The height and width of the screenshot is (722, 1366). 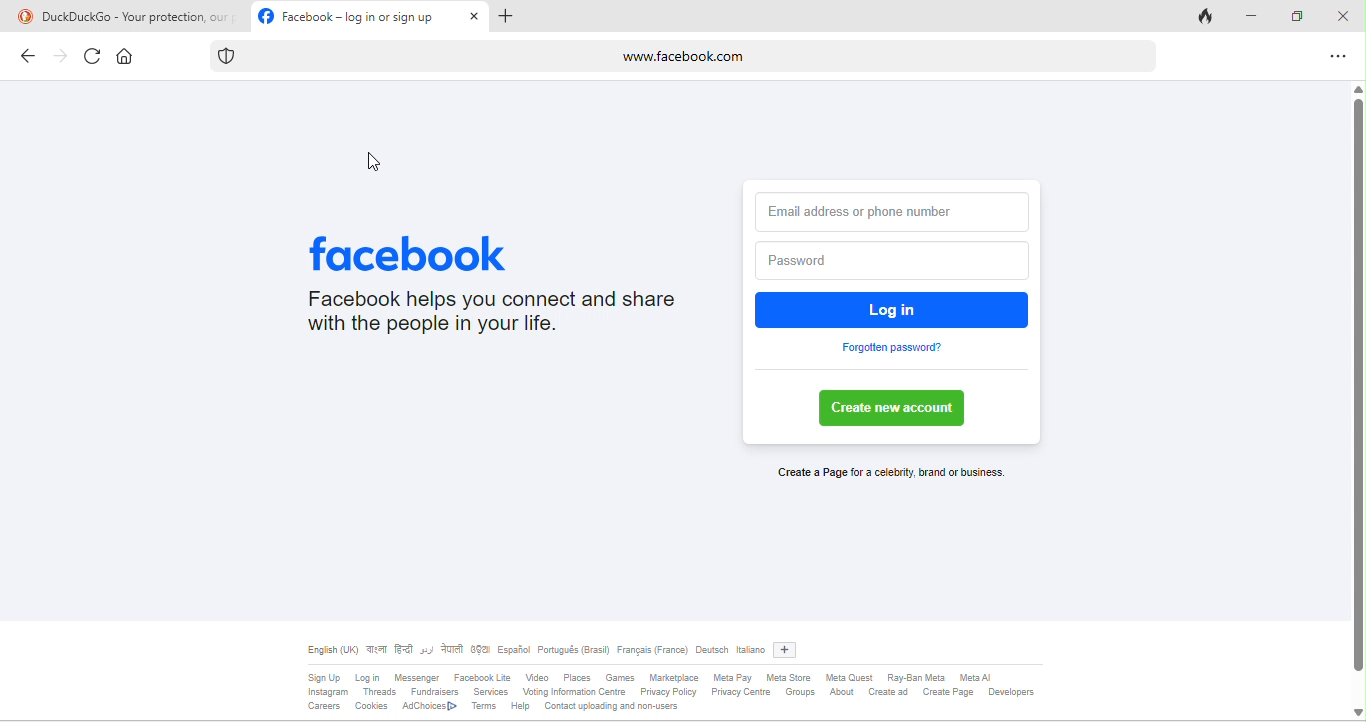 What do you see at coordinates (25, 59) in the screenshot?
I see `back` at bounding box center [25, 59].